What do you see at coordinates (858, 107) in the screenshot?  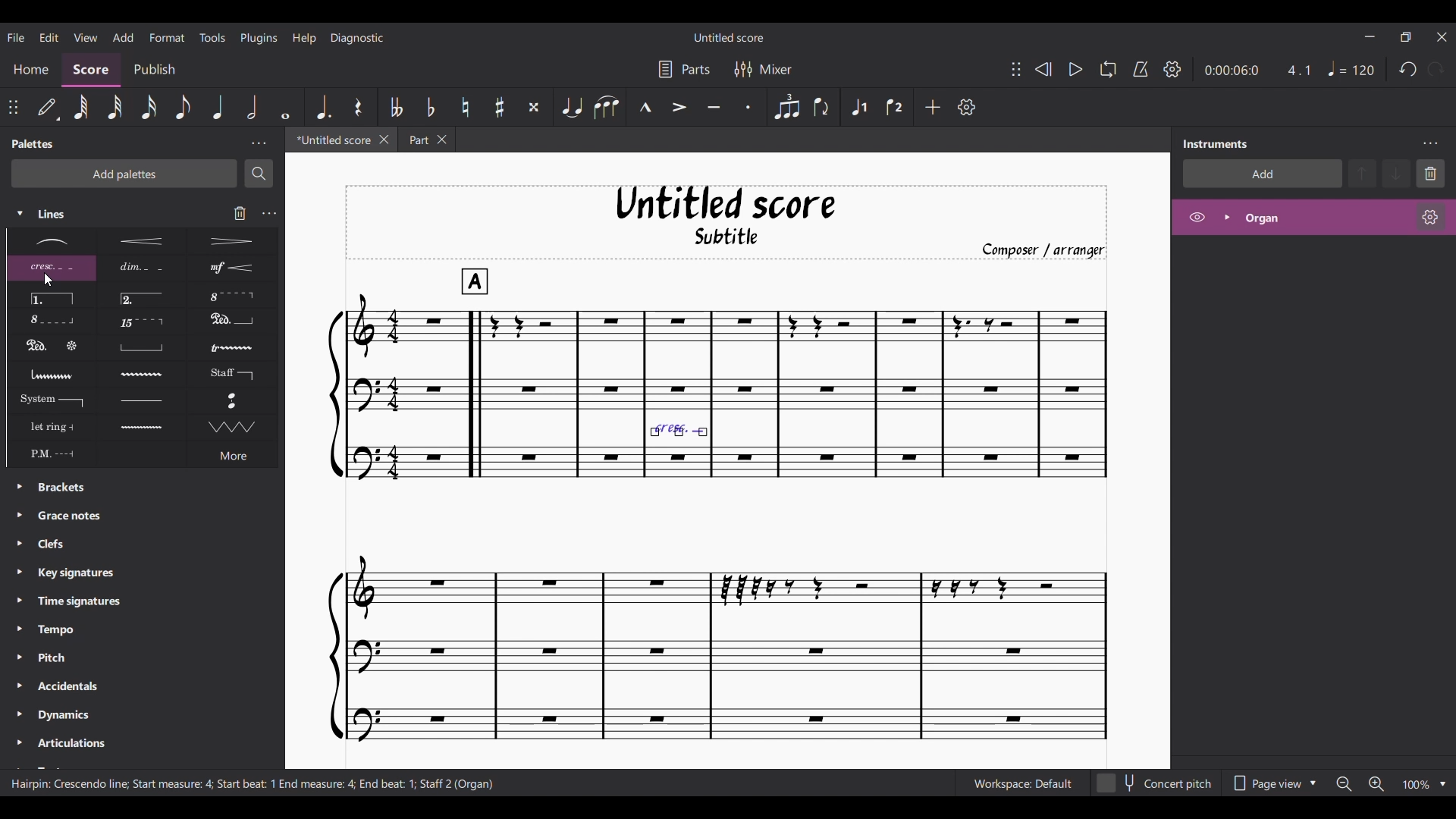 I see `Voice 1` at bounding box center [858, 107].